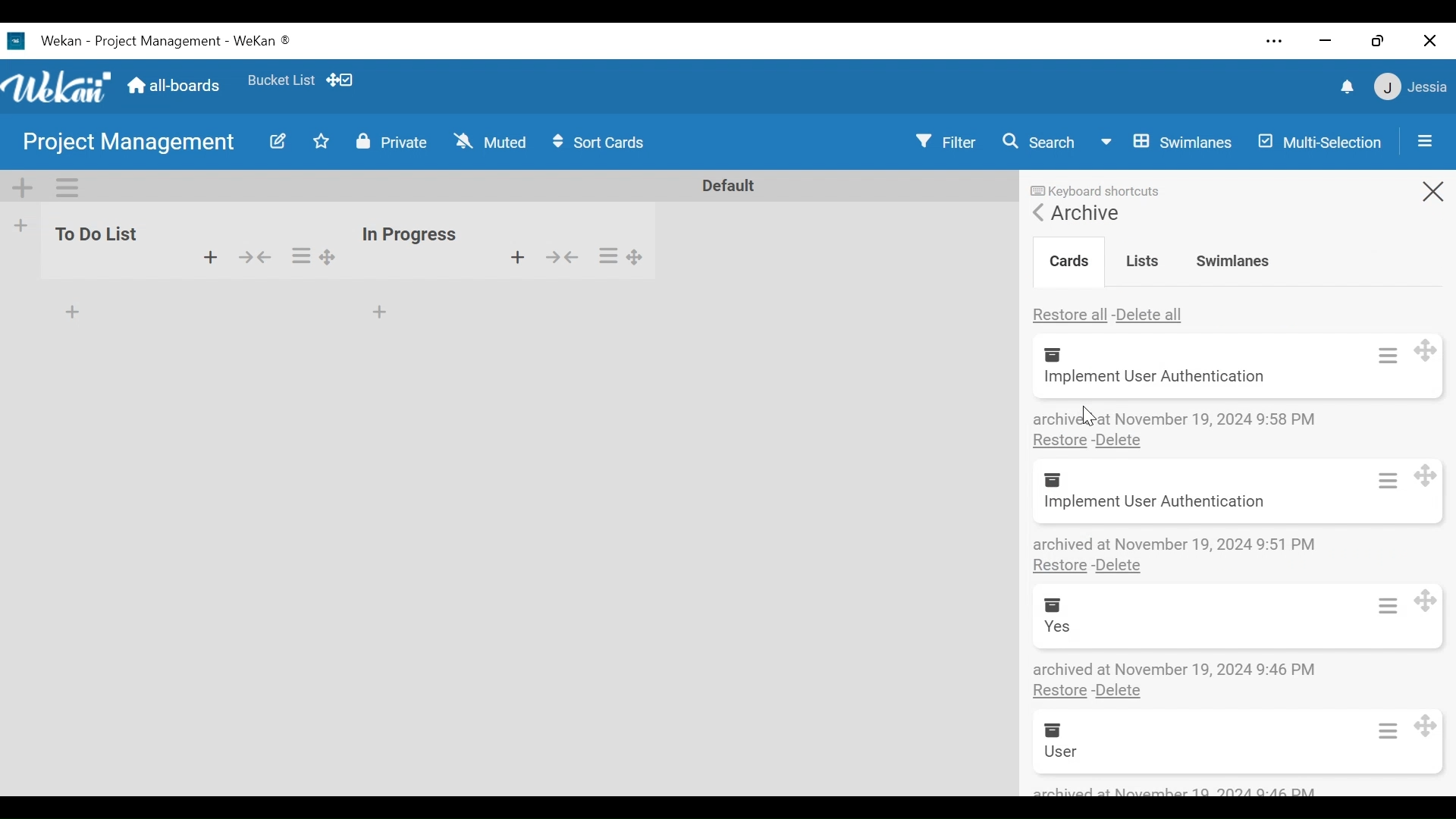 This screenshot has height=819, width=1456. What do you see at coordinates (1179, 671) in the screenshot?
I see `Archive details` at bounding box center [1179, 671].